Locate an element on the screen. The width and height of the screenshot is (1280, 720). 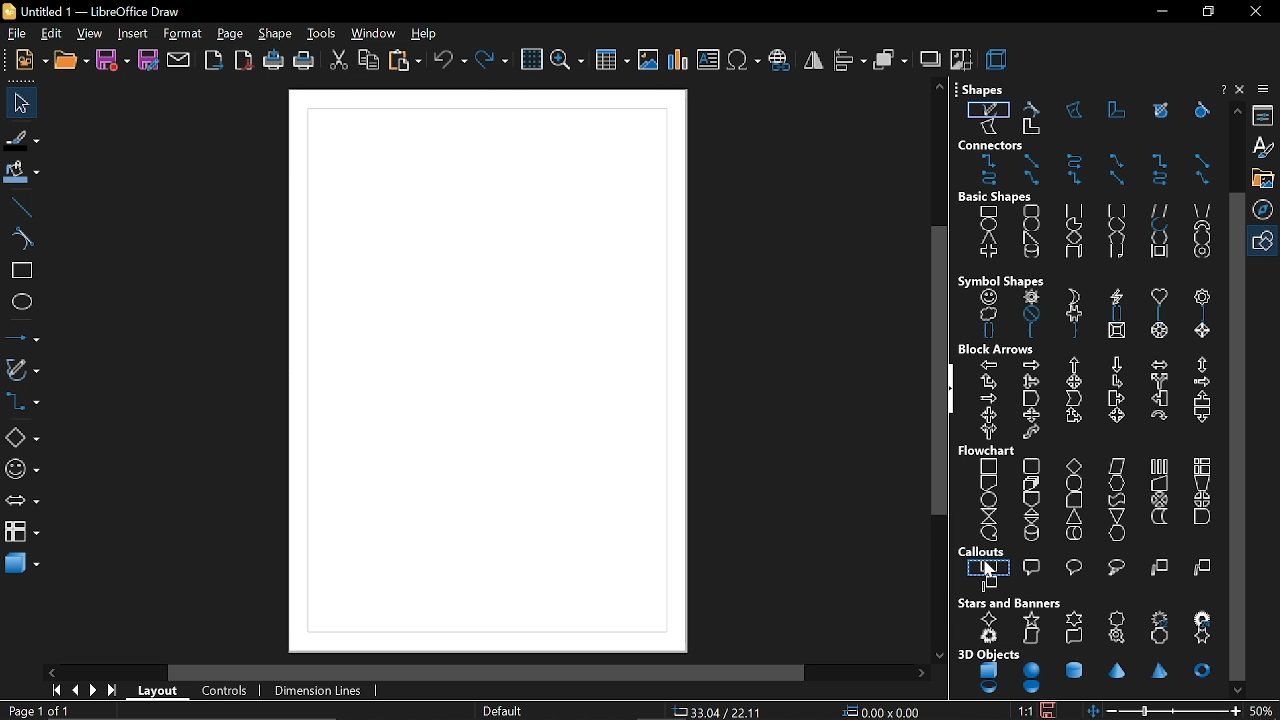
crop is located at coordinates (960, 60).